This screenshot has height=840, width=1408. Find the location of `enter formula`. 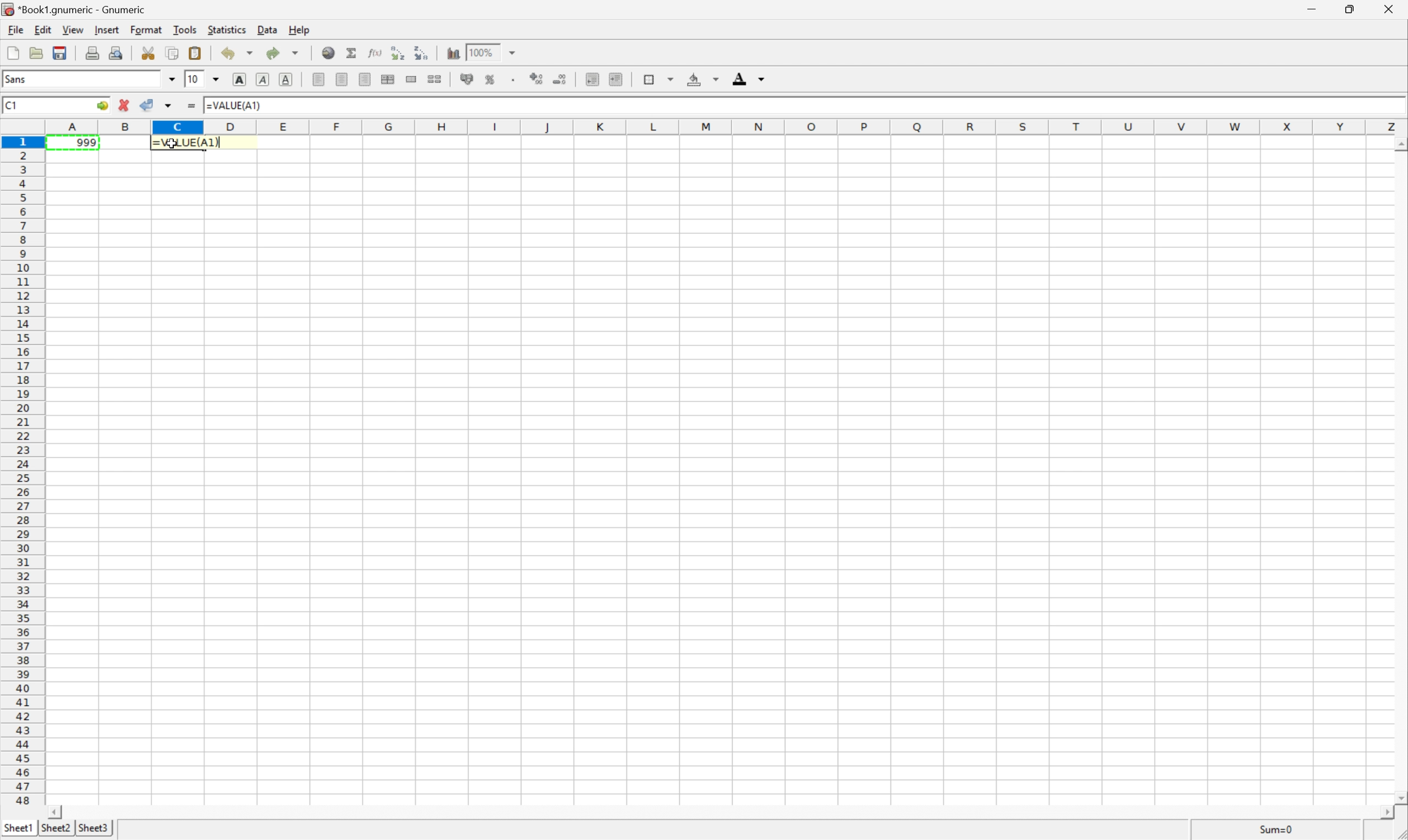

enter formula is located at coordinates (190, 106).